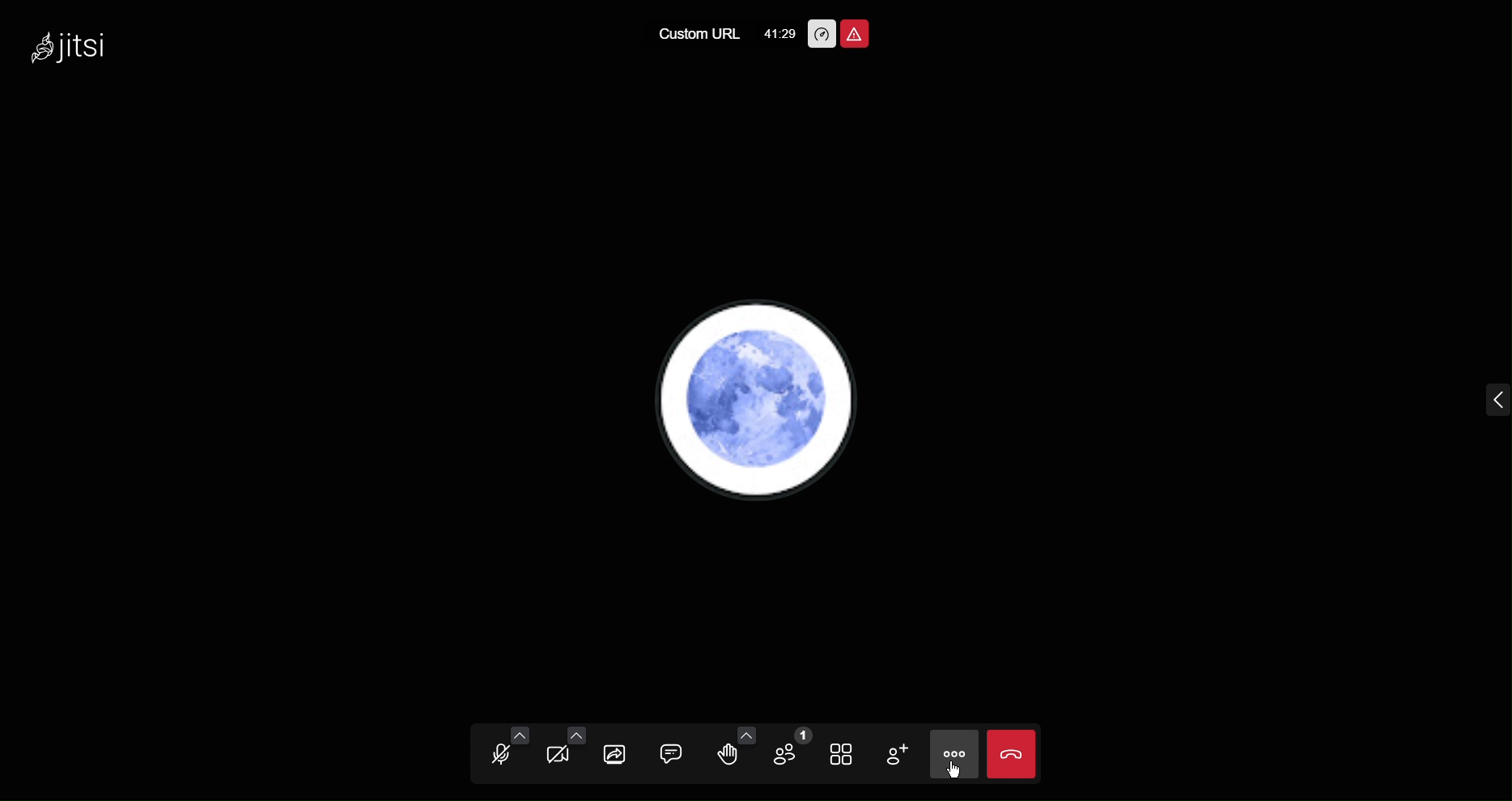  What do you see at coordinates (819, 32) in the screenshot?
I see `Performance` at bounding box center [819, 32].